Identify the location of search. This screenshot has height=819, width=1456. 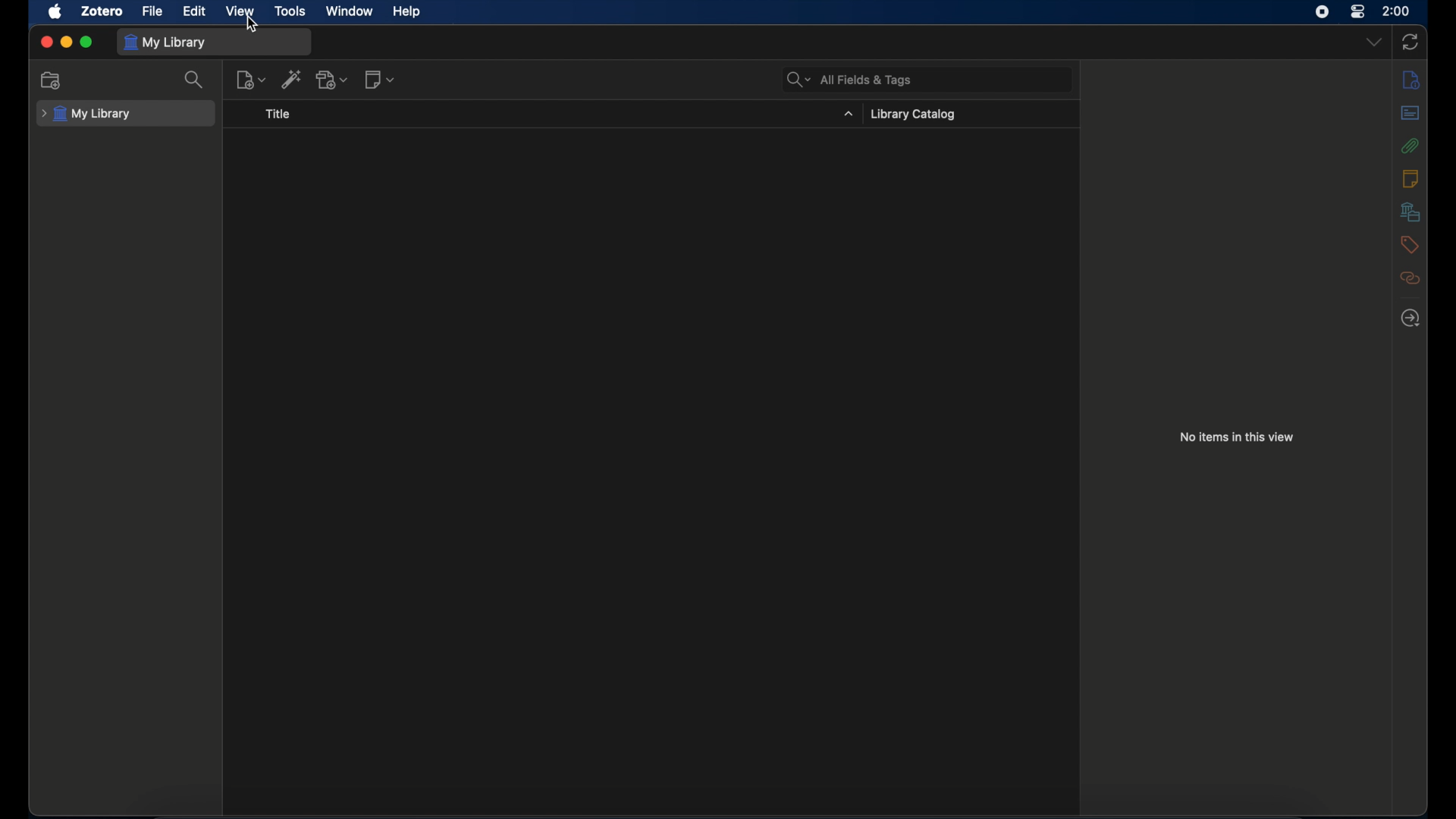
(195, 80).